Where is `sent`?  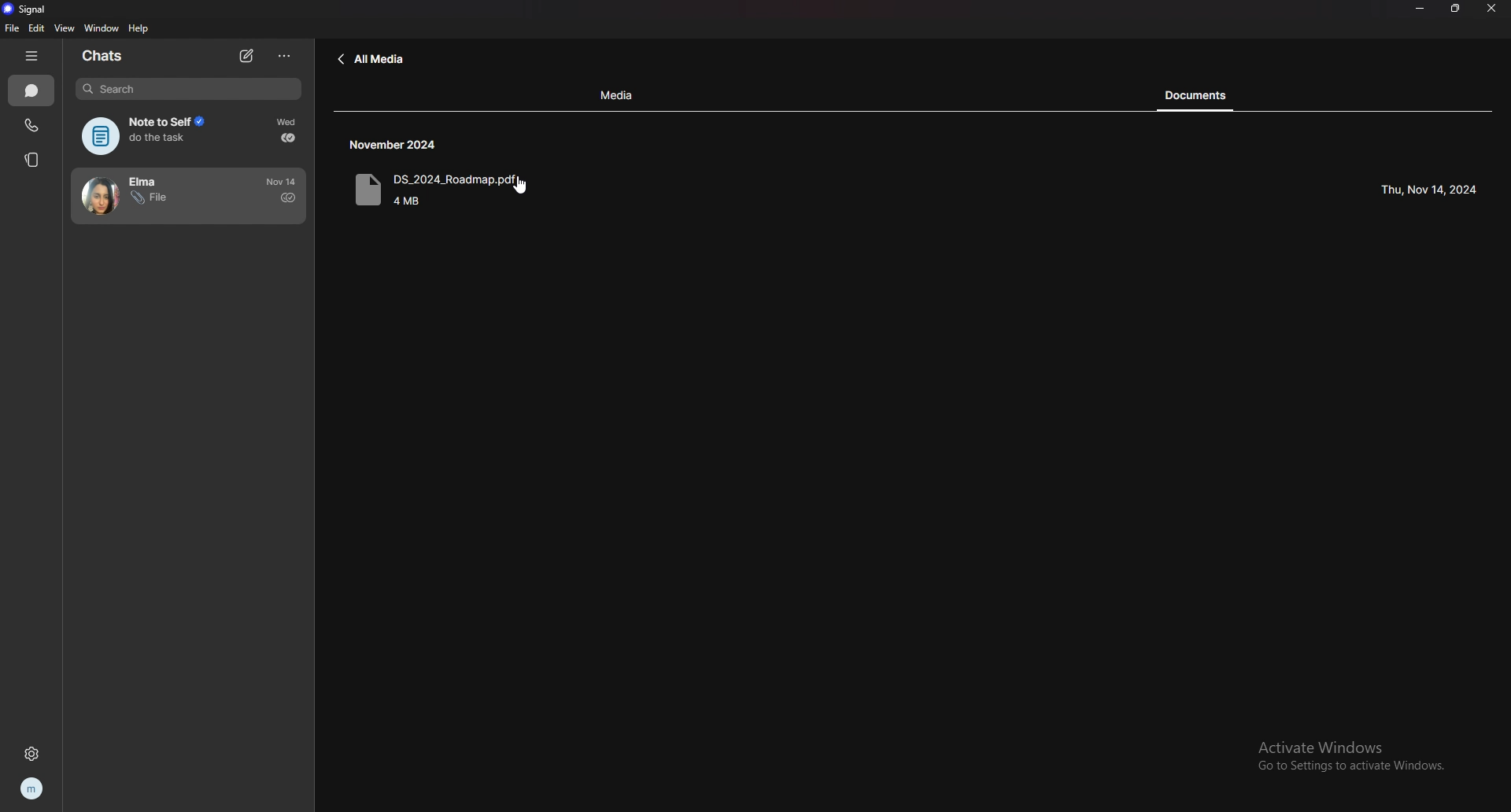 sent is located at coordinates (288, 197).